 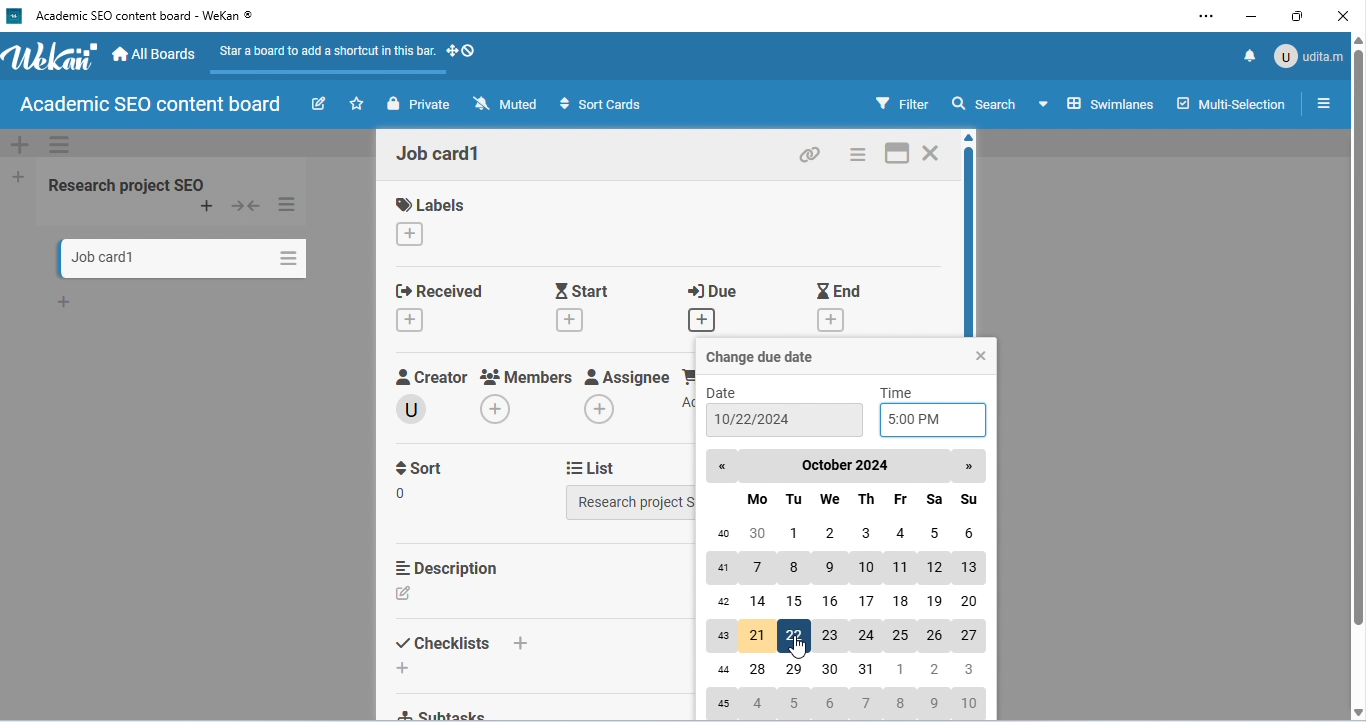 What do you see at coordinates (633, 503) in the screenshot?
I see `select list` at bounding box center [633, 503].